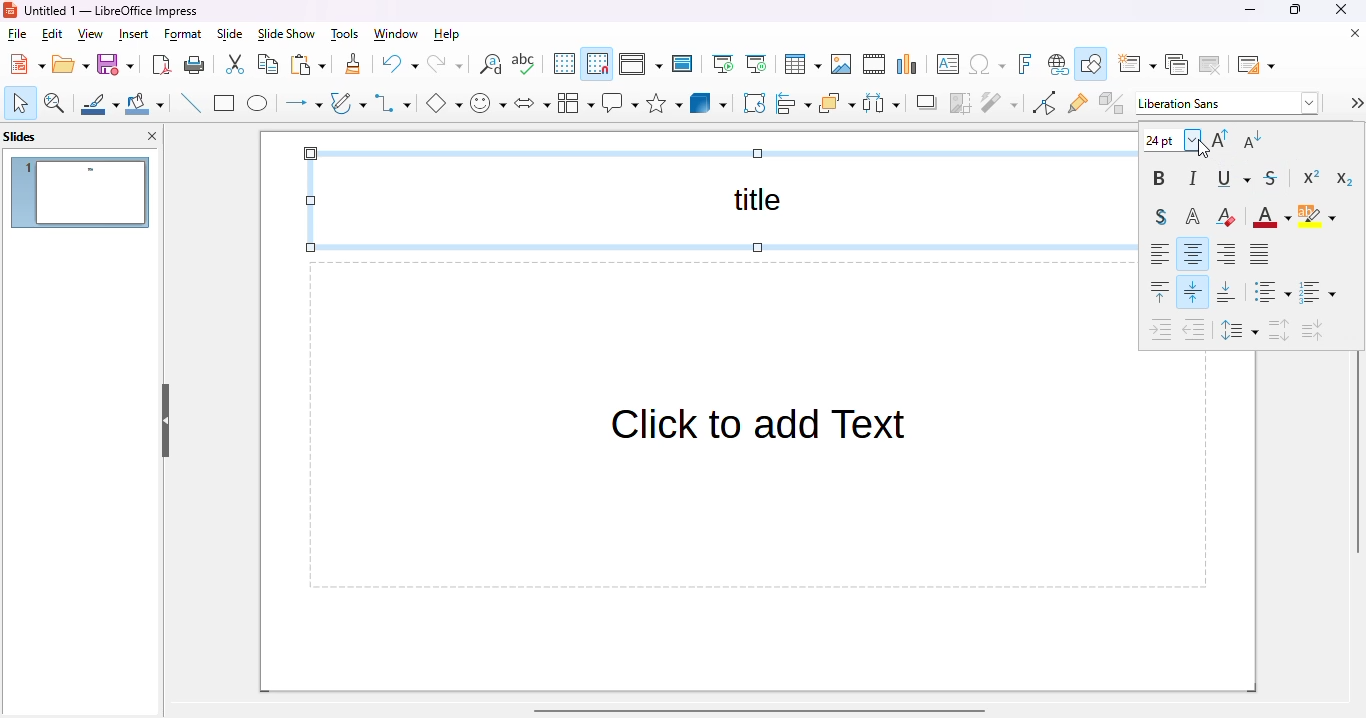  Describe the element at coordinates (874, 64) in the screenshot. I see `insert audio or video` at that location.